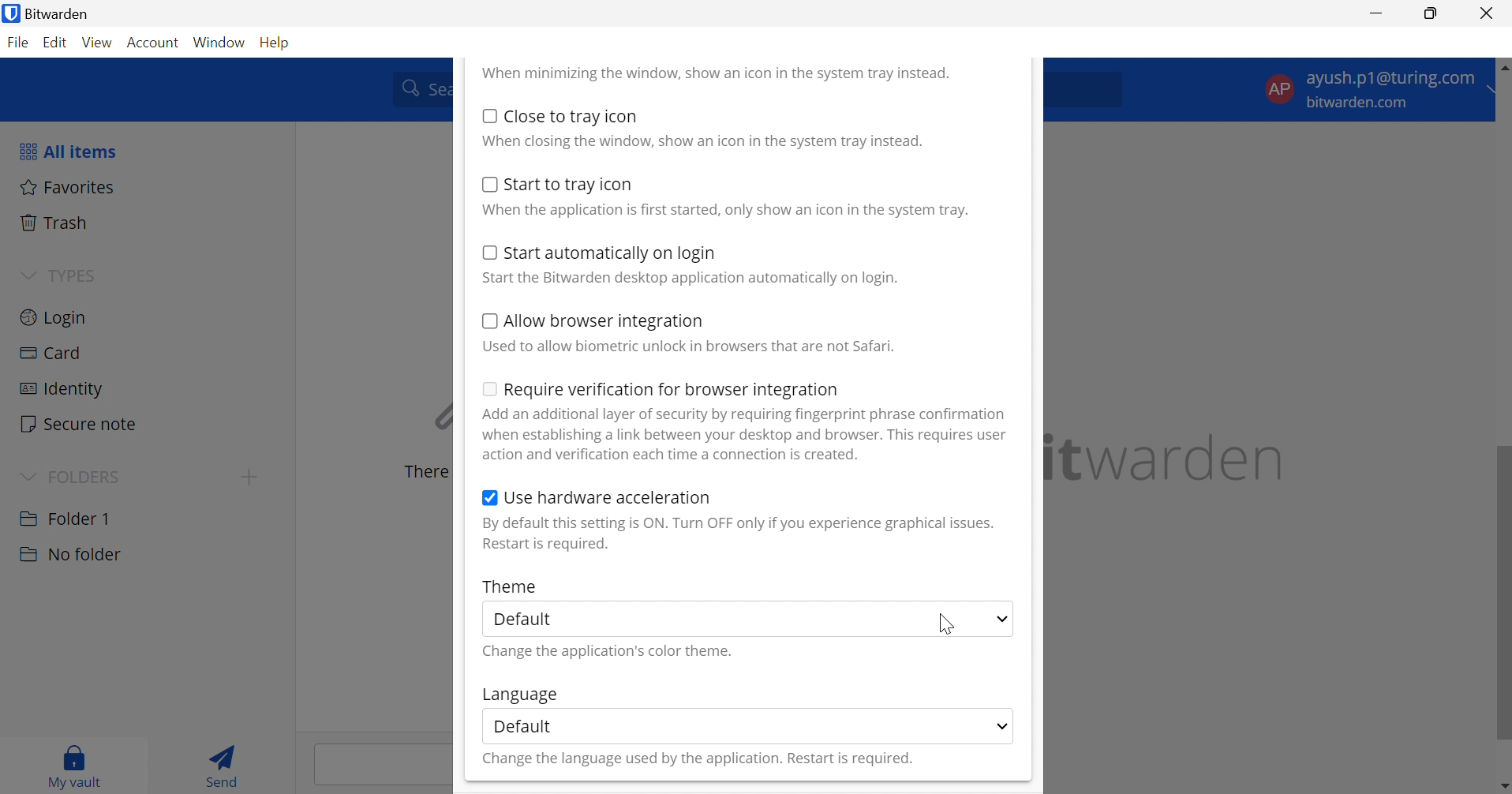  What do you see at coordinates (696, 760) in the screenshot?
I see `Change the language used by  the application. Restart is required.` at bounding box center [696, 760].